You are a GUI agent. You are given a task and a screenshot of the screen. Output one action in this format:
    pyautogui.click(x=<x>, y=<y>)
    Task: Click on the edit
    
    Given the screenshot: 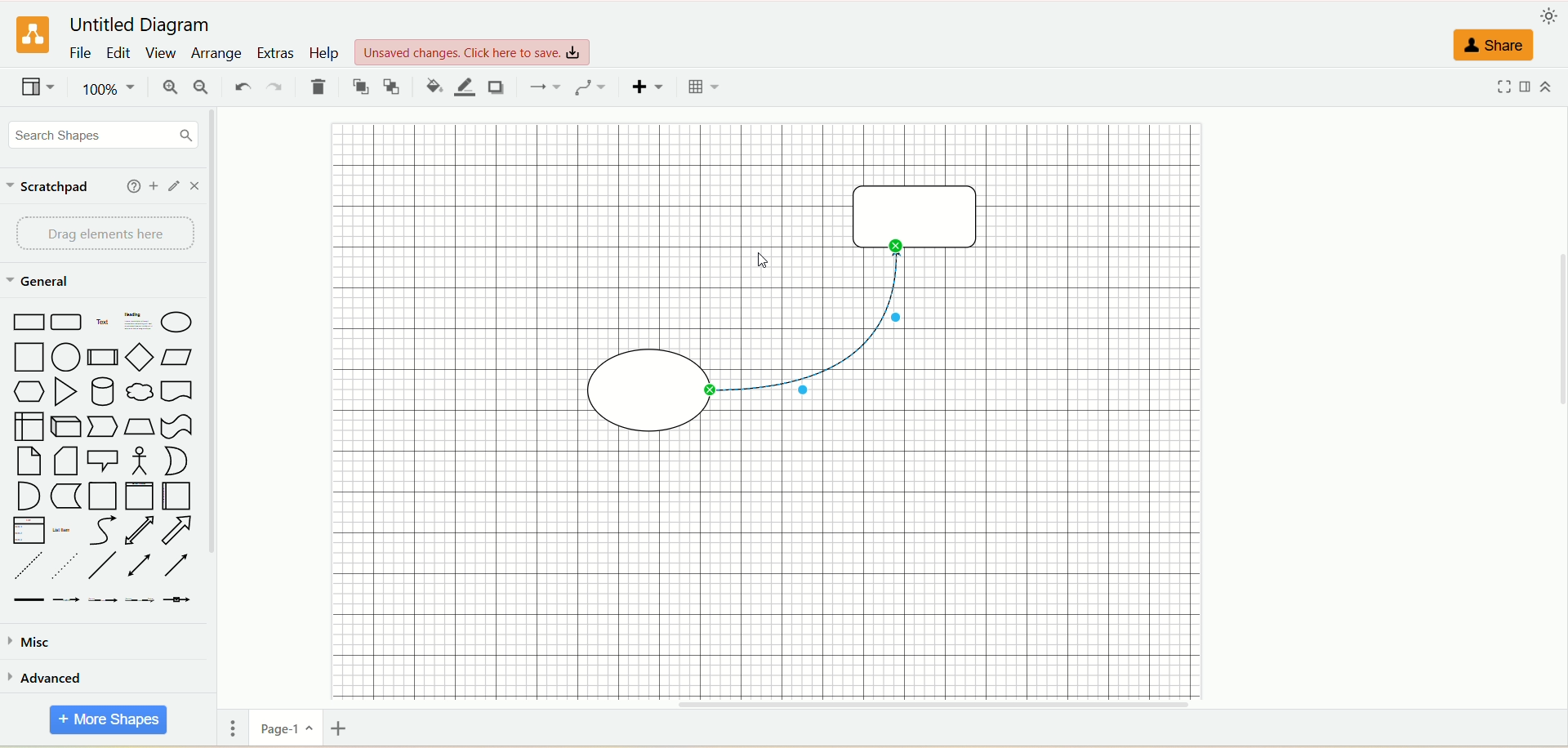 What is the action you would take?
    pyautogui.click(x=175, y=185)
    